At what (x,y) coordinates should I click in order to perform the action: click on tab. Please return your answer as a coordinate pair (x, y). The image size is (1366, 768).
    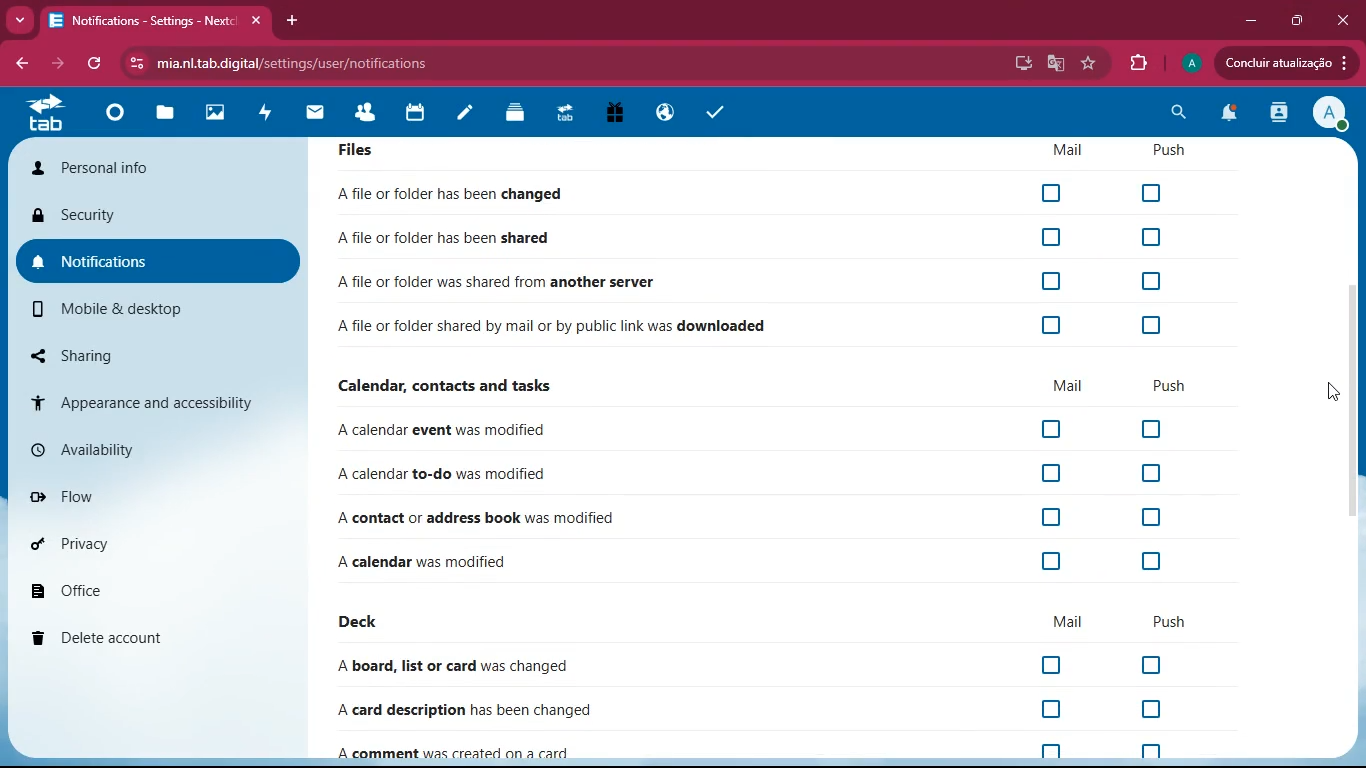
    Looking at the image, I should click on (47, 116).